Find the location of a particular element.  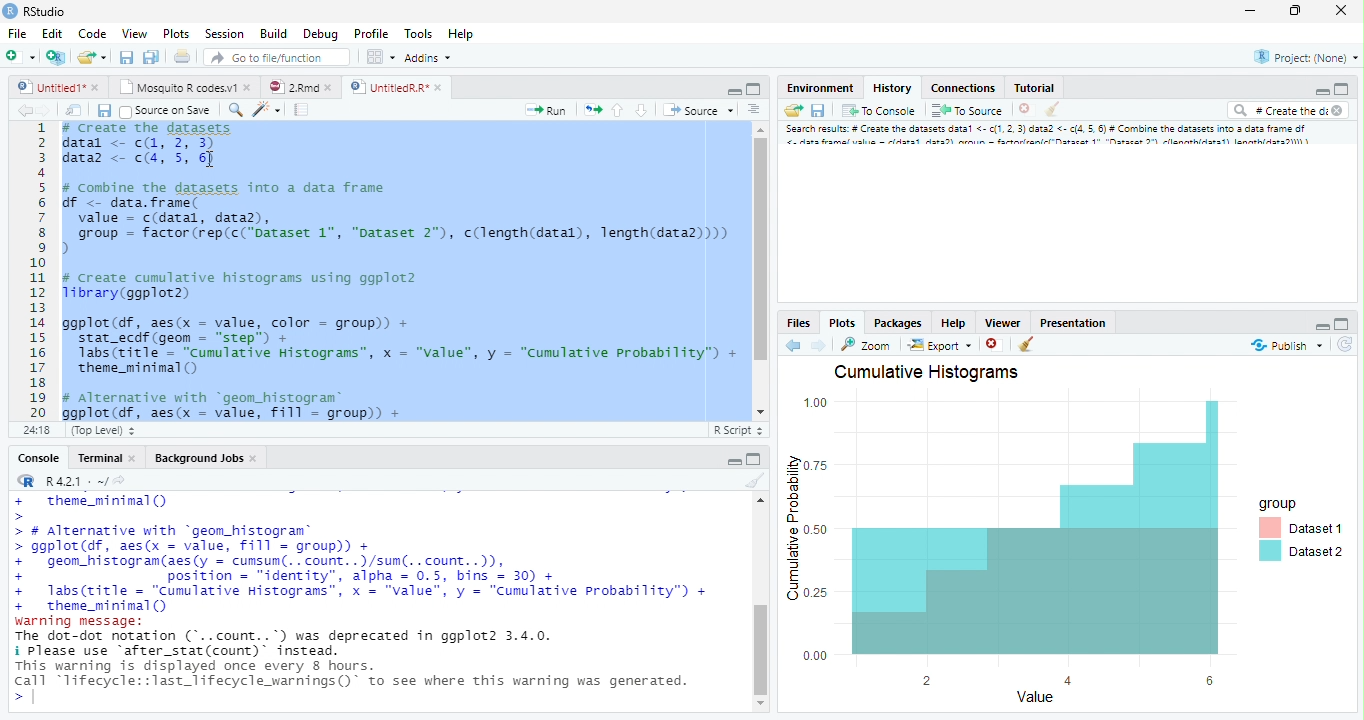

2.Rmd is located at coordinates (298, 85).